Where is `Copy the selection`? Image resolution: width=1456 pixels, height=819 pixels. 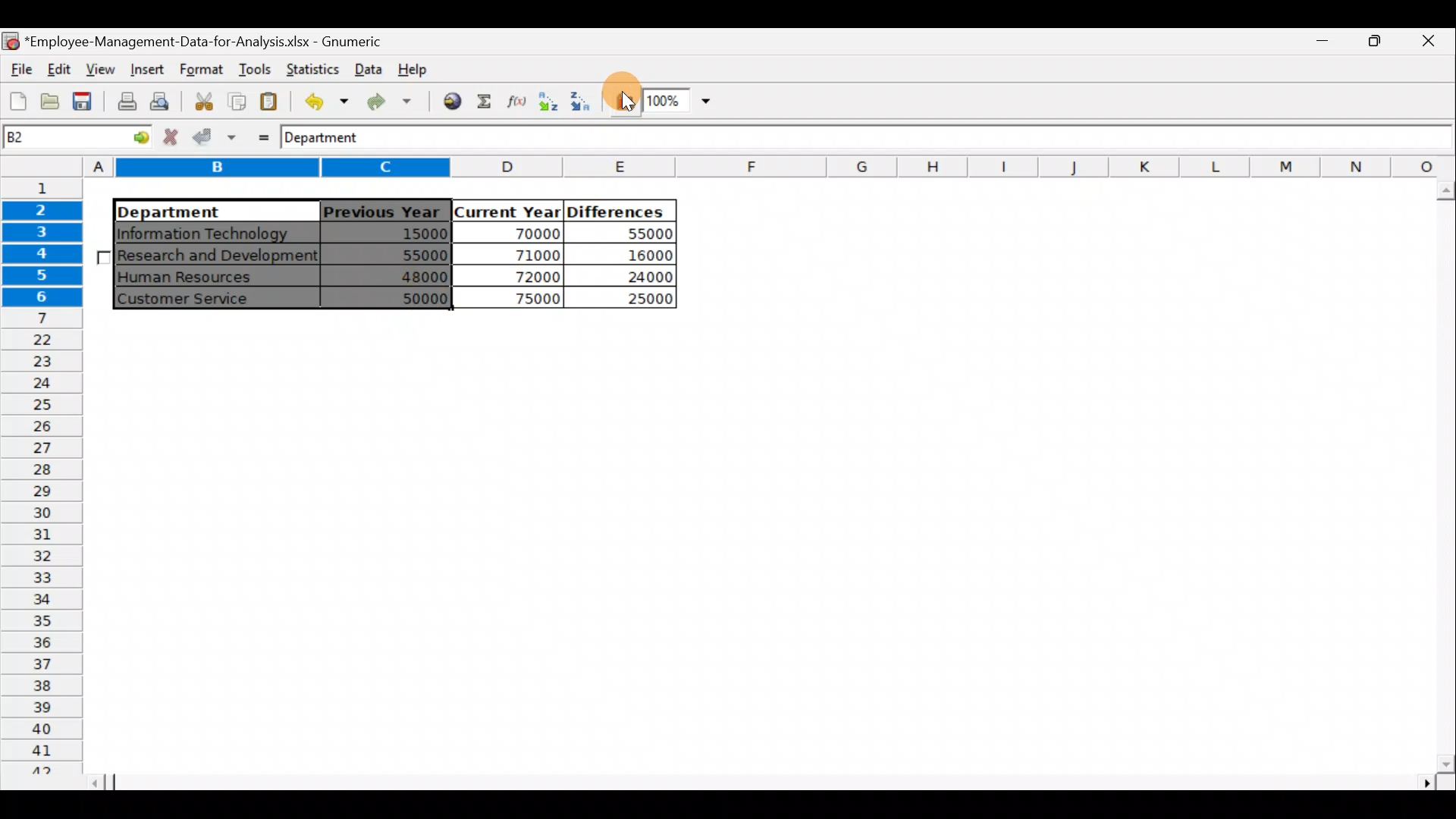
Copy the selection is located at coordinates (236, 102).